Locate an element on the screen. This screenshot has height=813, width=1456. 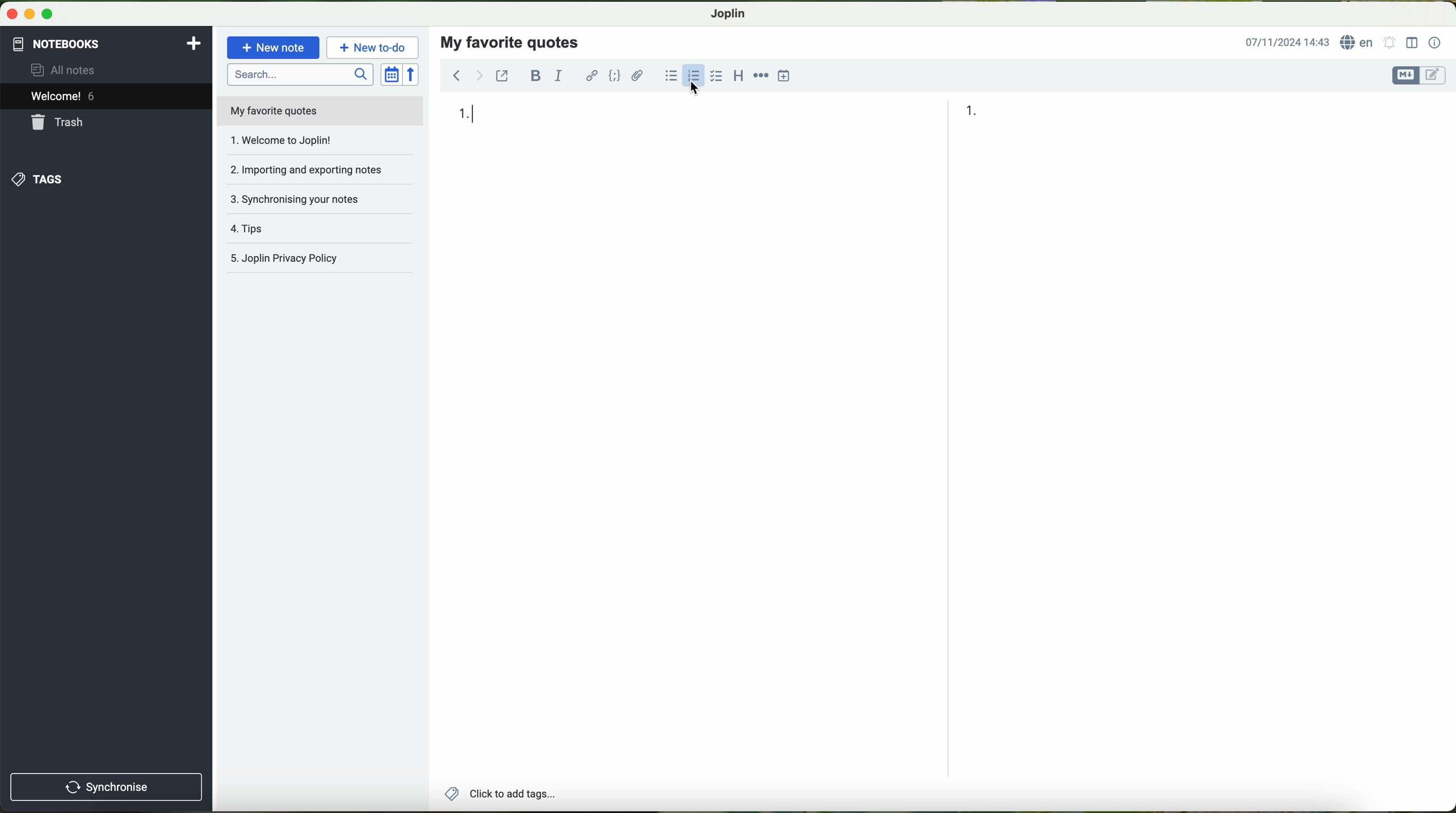
code is located at coordinates (616, 77).